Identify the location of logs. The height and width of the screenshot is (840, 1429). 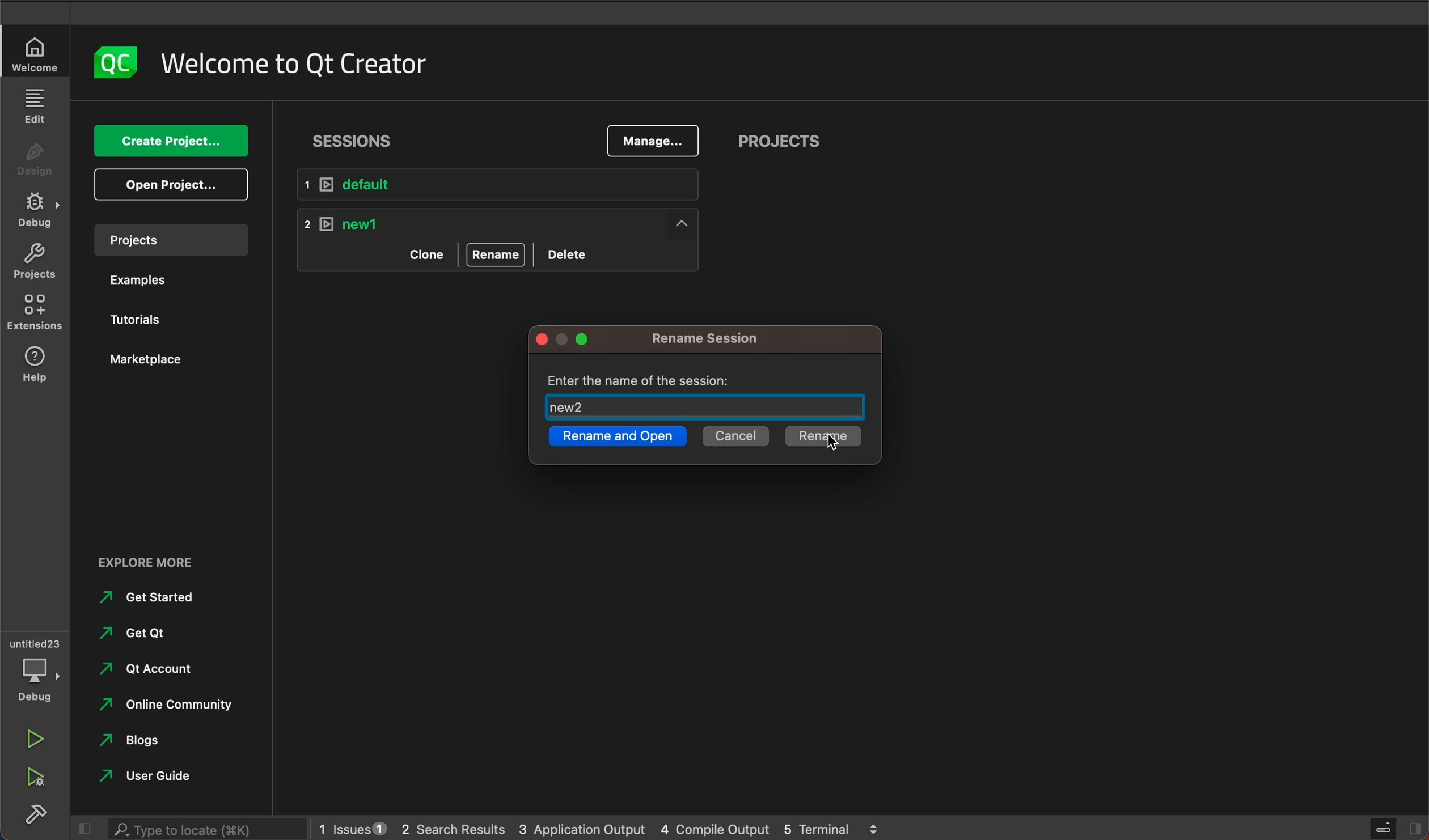
(597, 827).